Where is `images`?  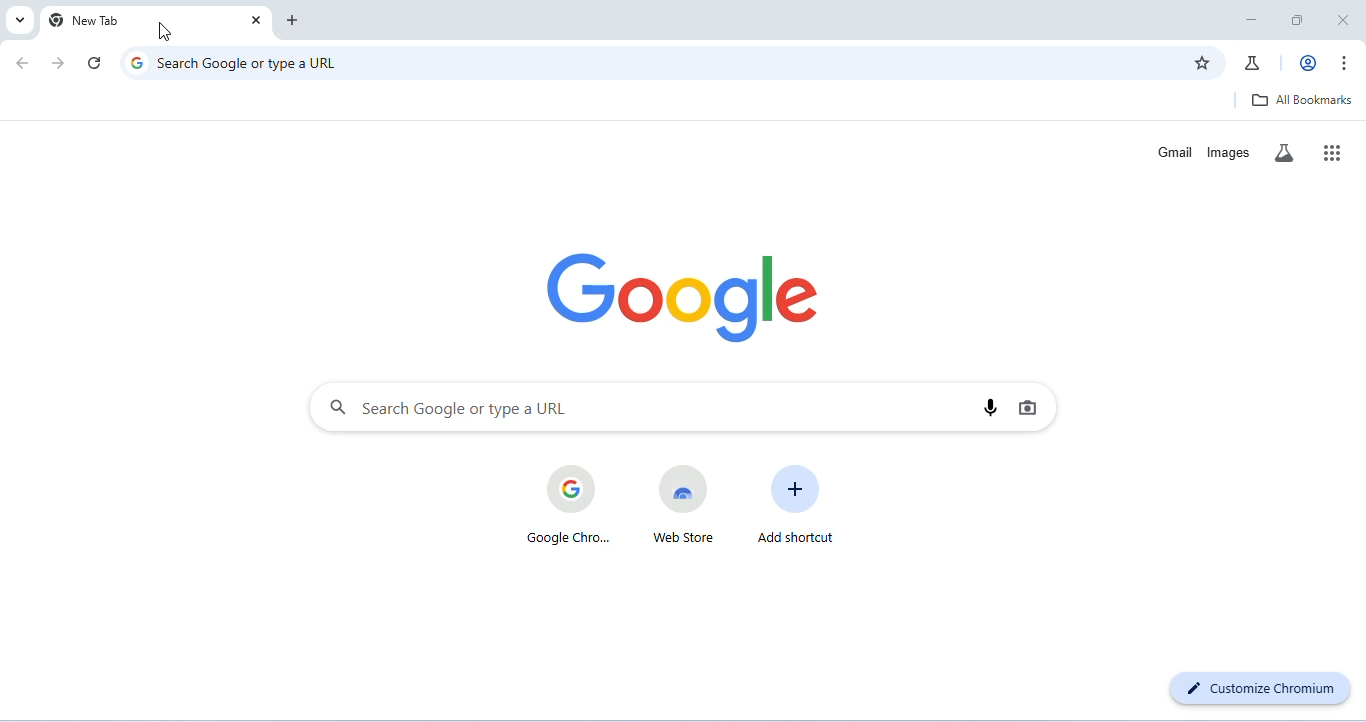 images is located at coordinates (1228, 151).